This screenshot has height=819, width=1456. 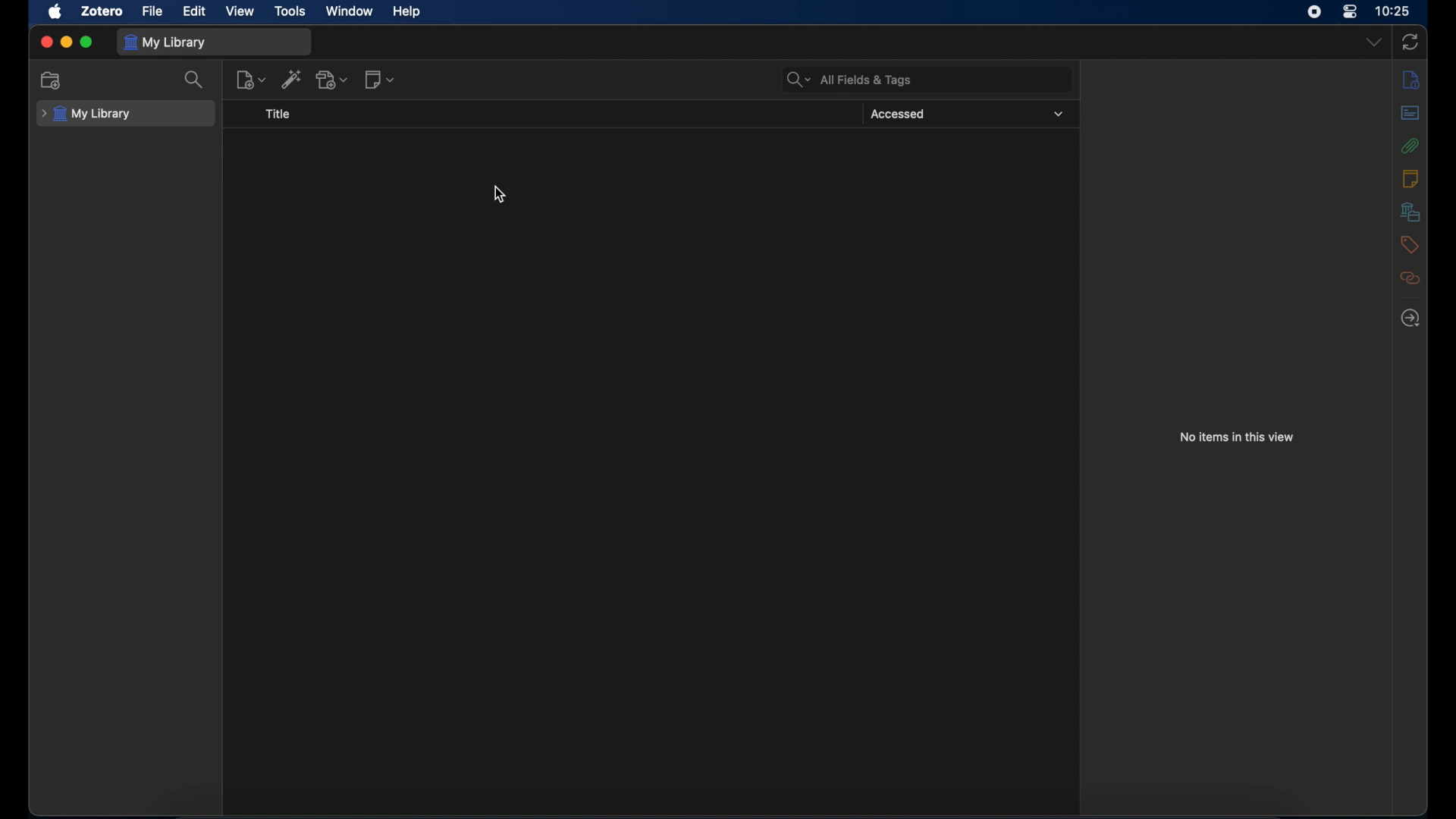 I want to click on file, so click(x=152, y=11).